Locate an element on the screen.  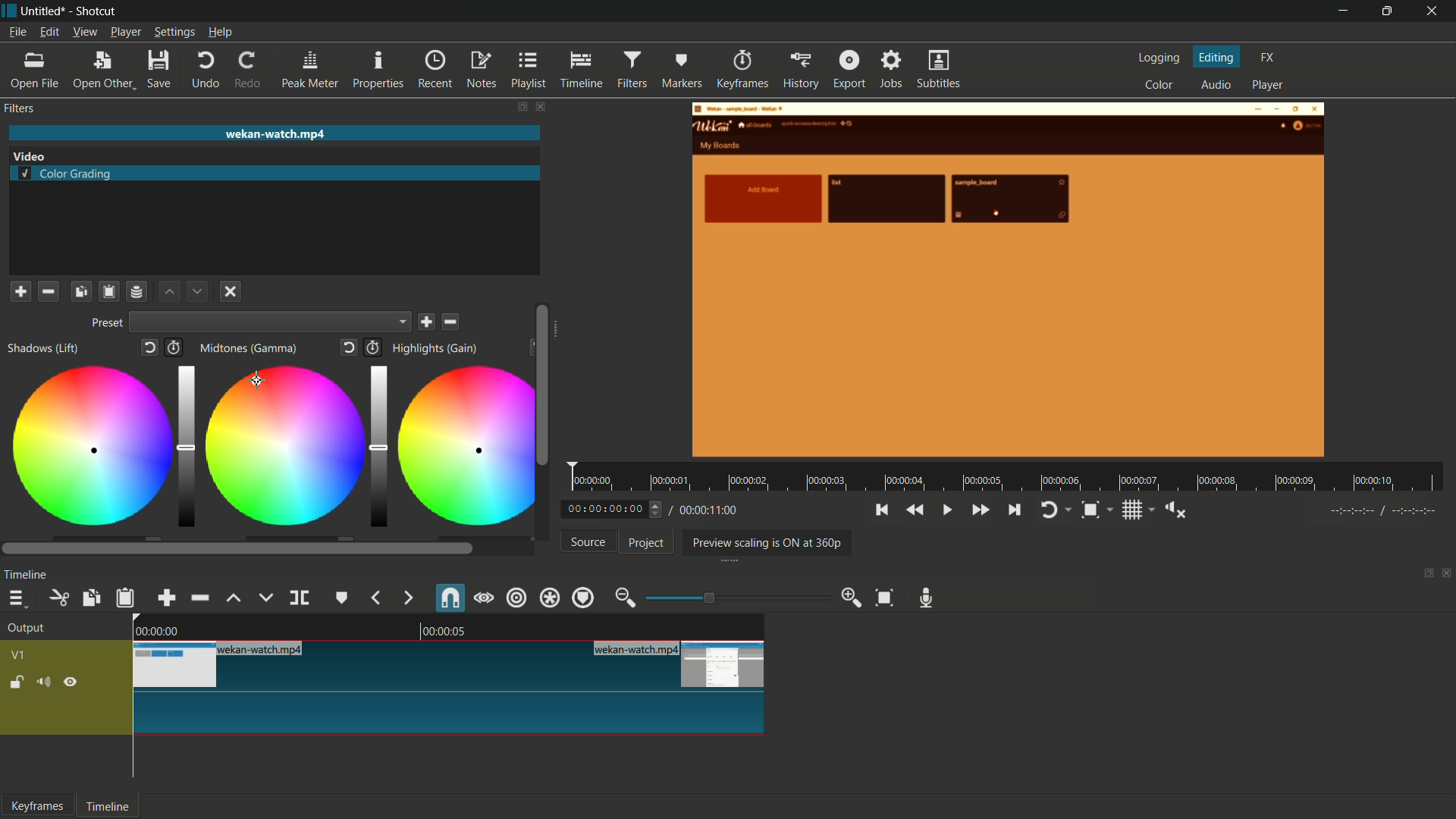
save is located at coordinates (426, 322).